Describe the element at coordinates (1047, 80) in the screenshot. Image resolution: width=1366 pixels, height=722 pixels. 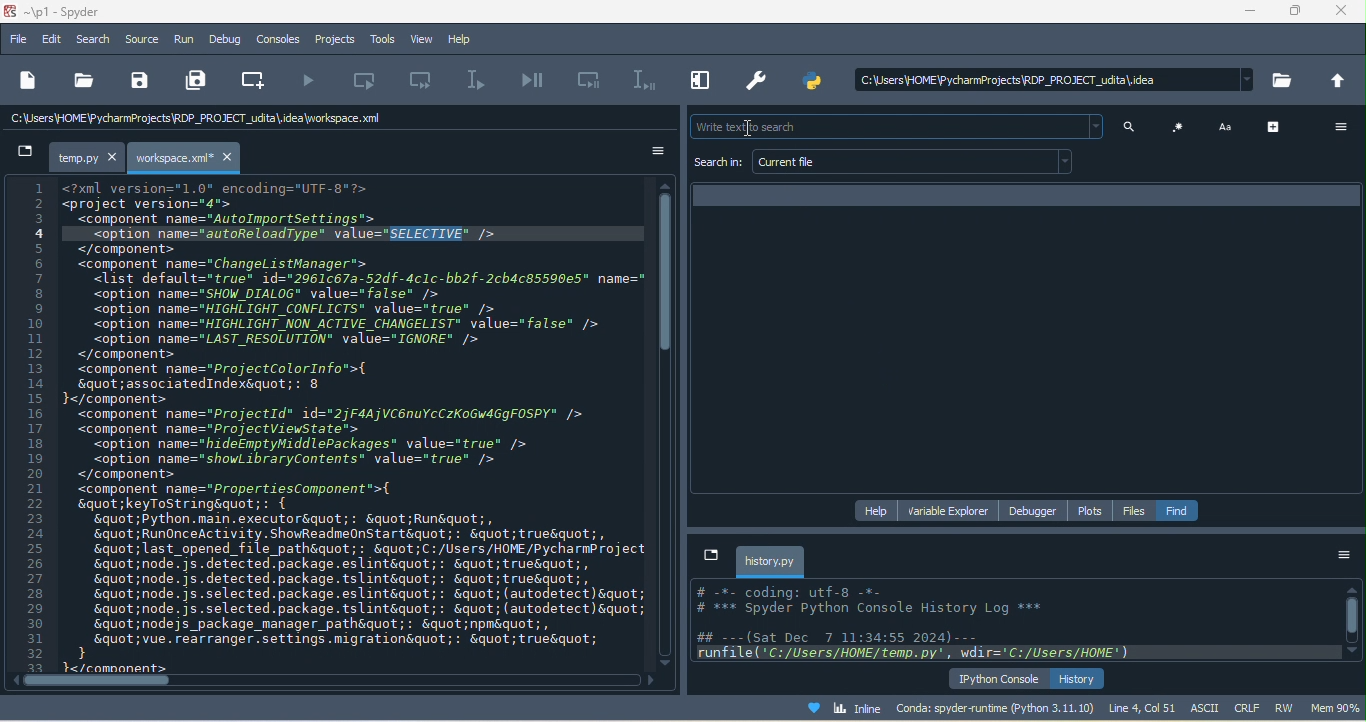
I see `c\users\home\pycharms\project` at that location.